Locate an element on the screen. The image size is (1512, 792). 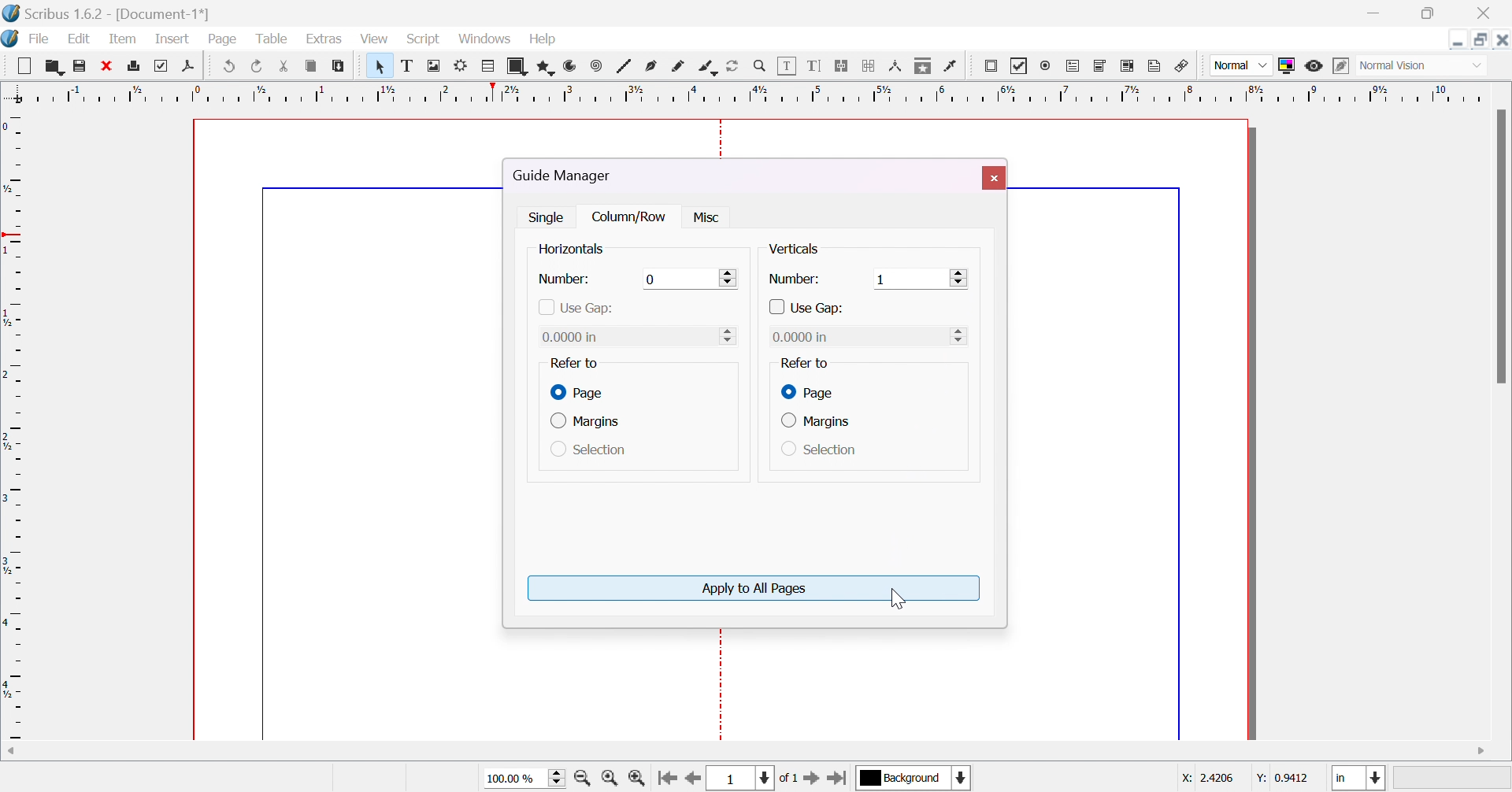
edit in preview mode is located at coordinates (1341, 65).